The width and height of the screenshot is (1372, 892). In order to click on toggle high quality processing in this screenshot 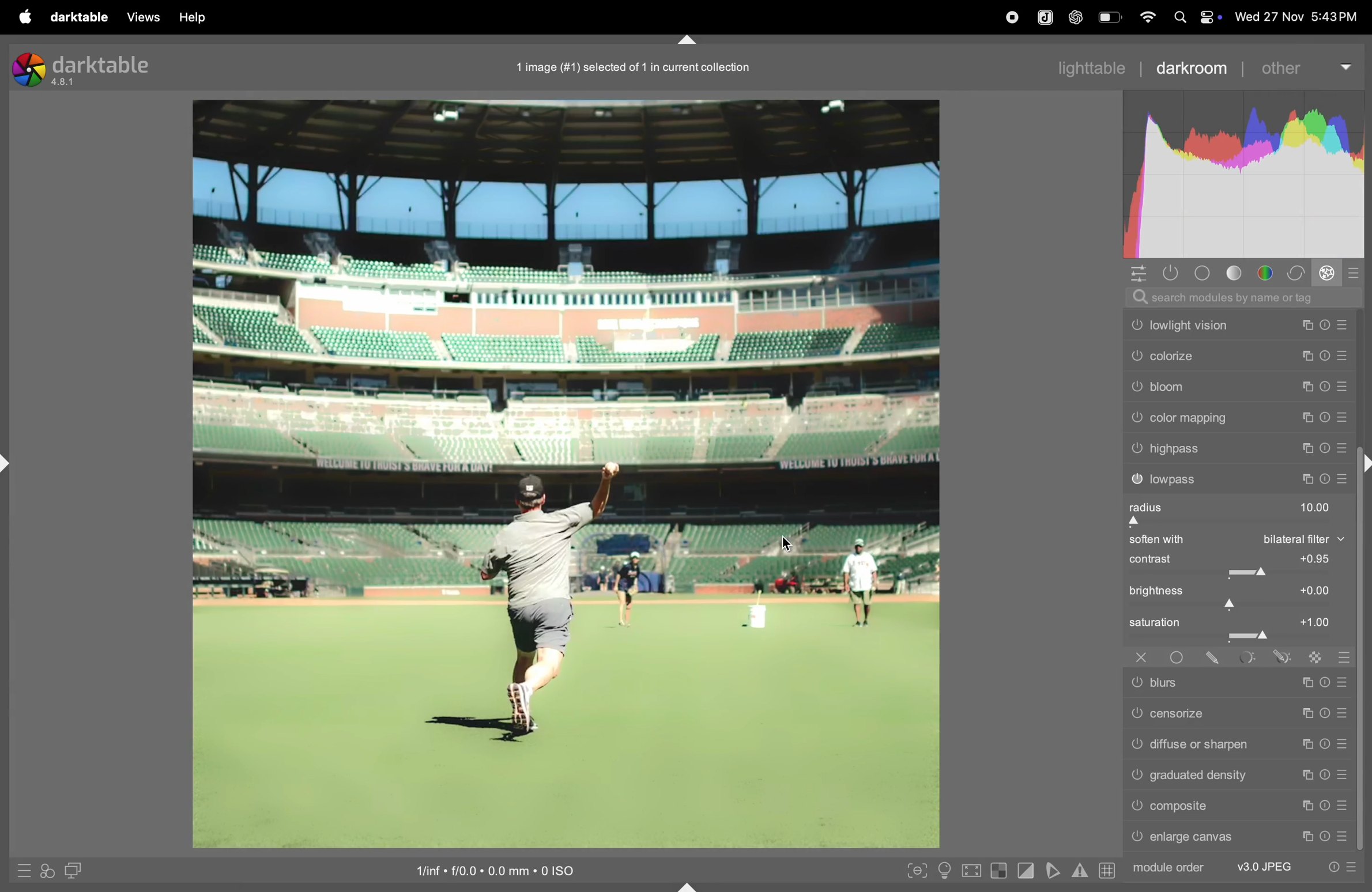, I will do `click(974, 870)`.